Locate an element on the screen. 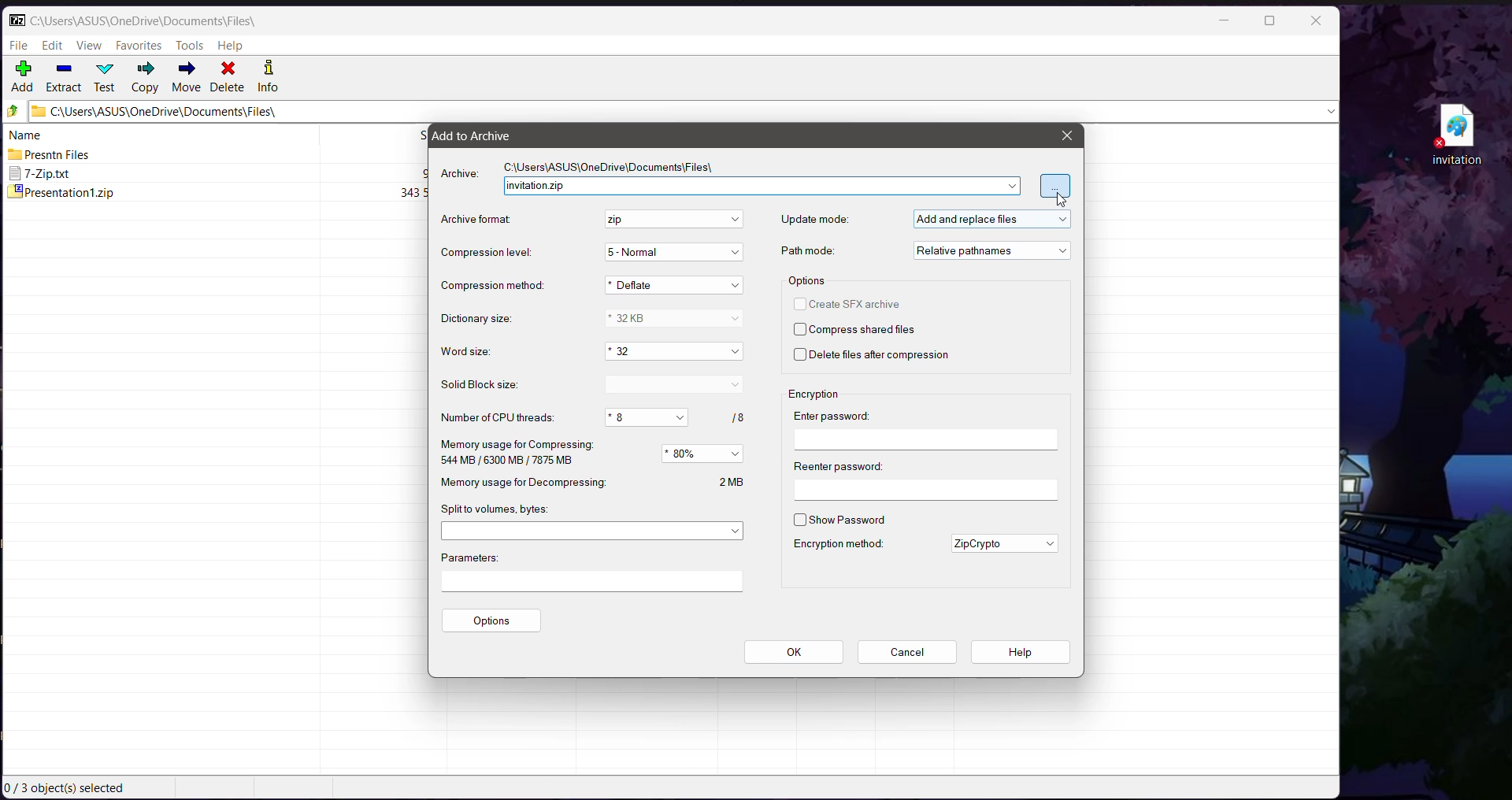  Options is located at coordinates (494, 621).